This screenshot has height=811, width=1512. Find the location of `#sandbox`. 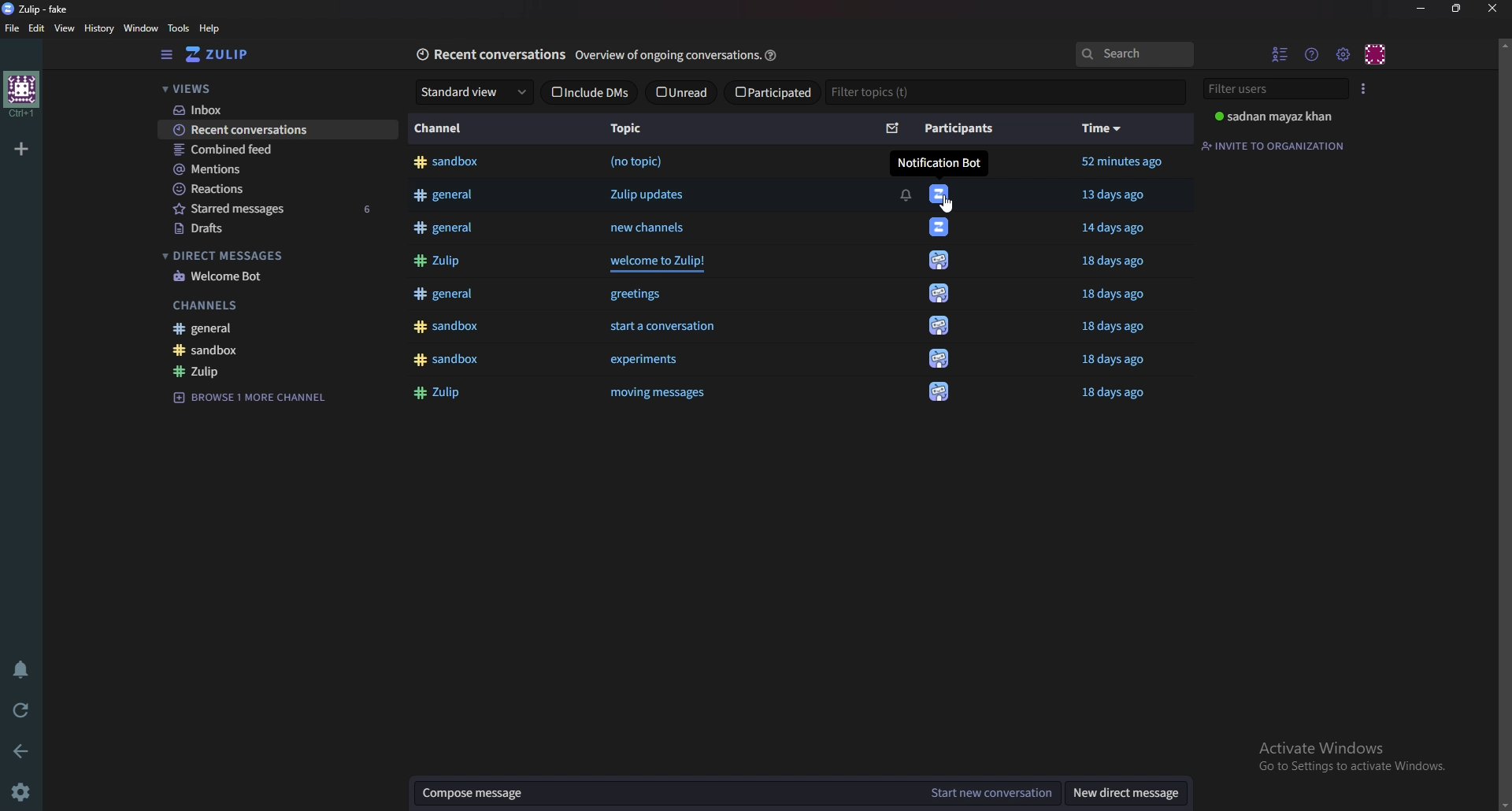

#sandbox is located at coordinates (446, 359).